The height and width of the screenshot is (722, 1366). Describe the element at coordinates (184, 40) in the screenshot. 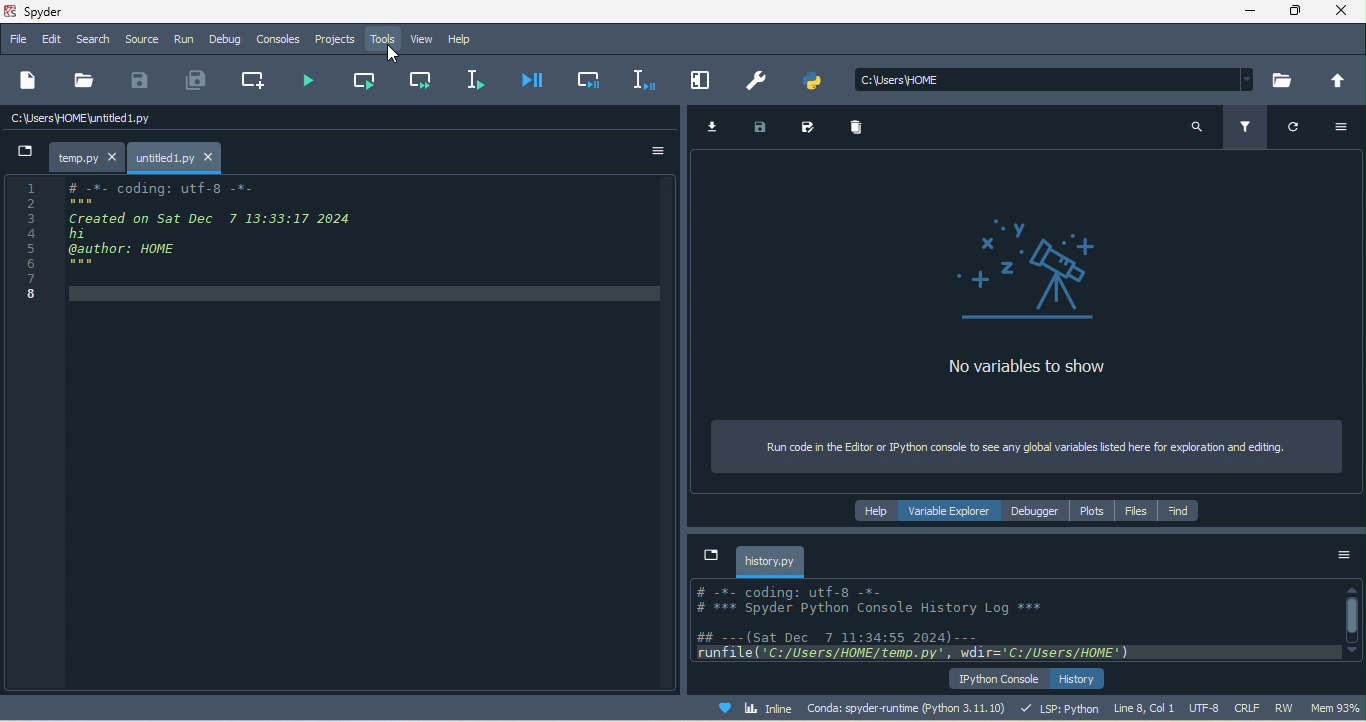

I see `run` at that location.